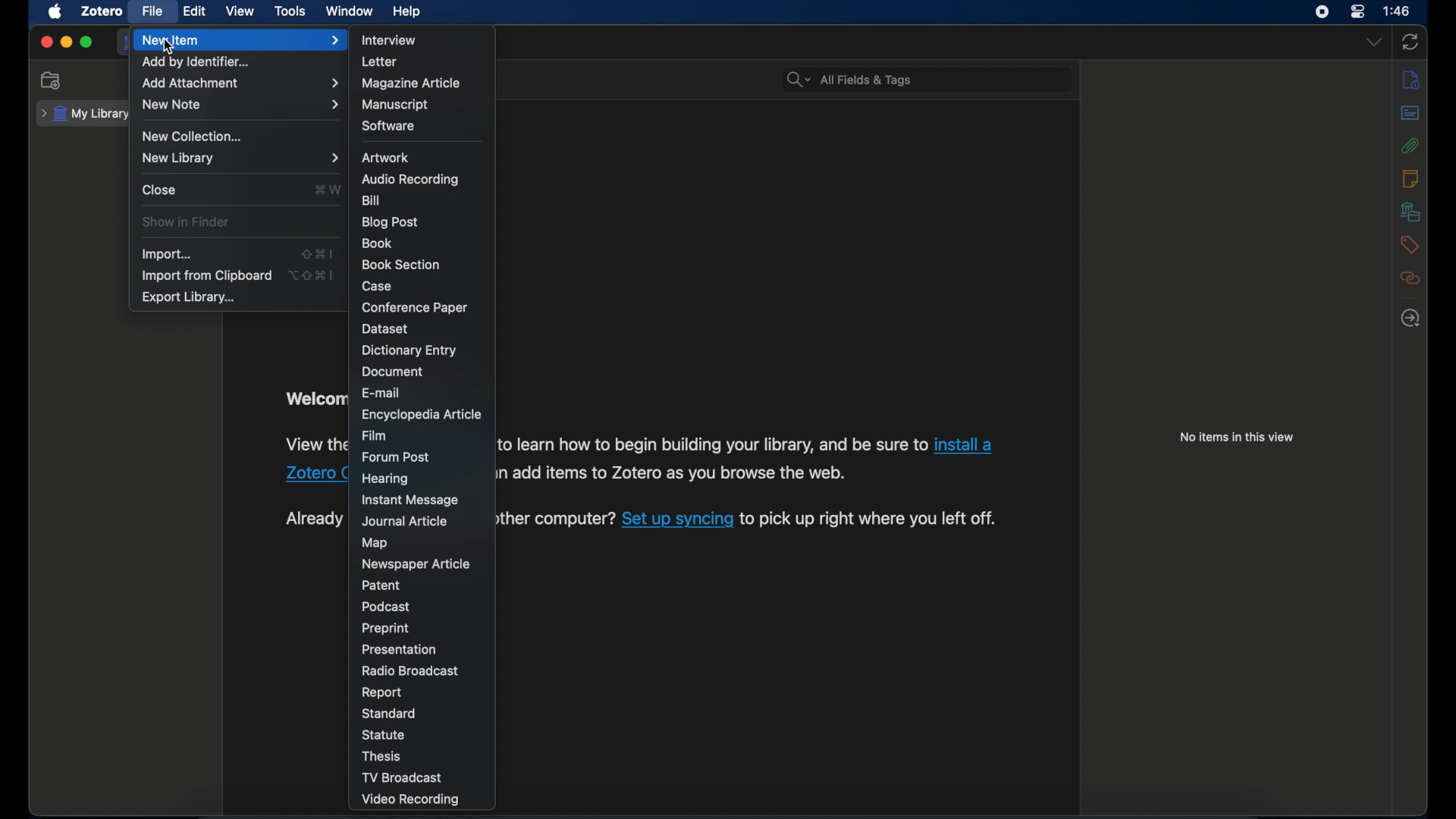  What do you see at coordinates (420, 414) in the screenshot?
I see `encyclopedia article` at bounding box center [420, 414].